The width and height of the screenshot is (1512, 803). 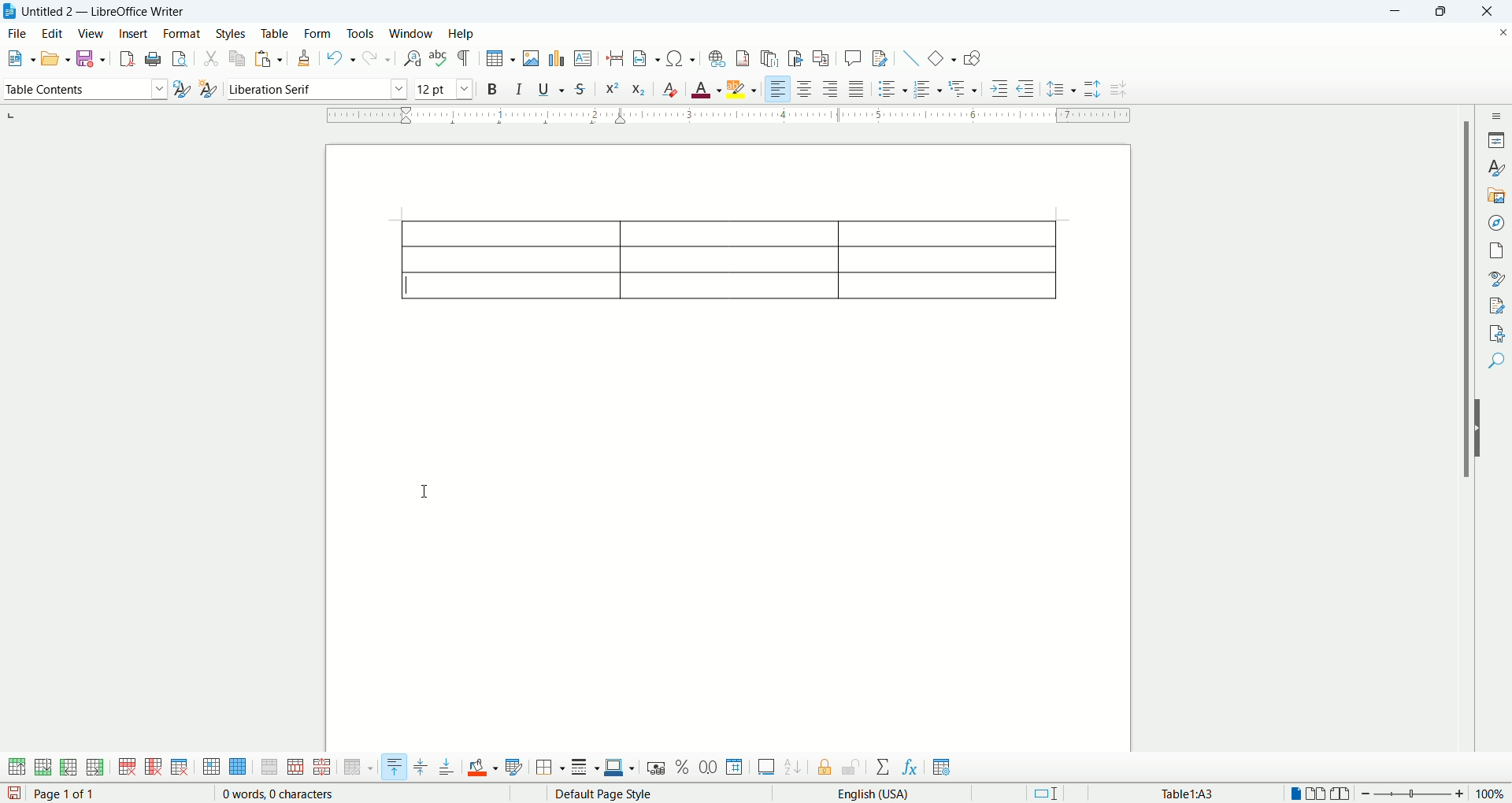 I want to click on insert image, so click(x=532, y=58).